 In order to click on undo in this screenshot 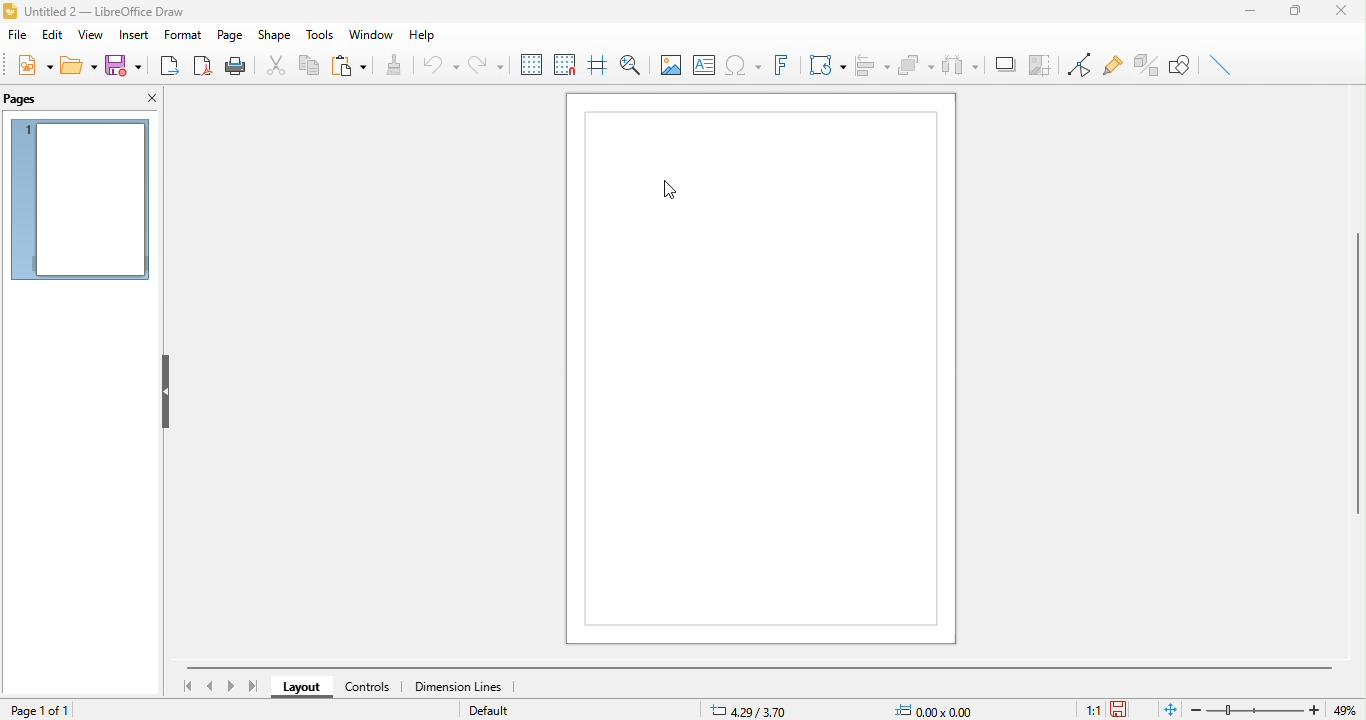, I will do `click(437, 65)`.